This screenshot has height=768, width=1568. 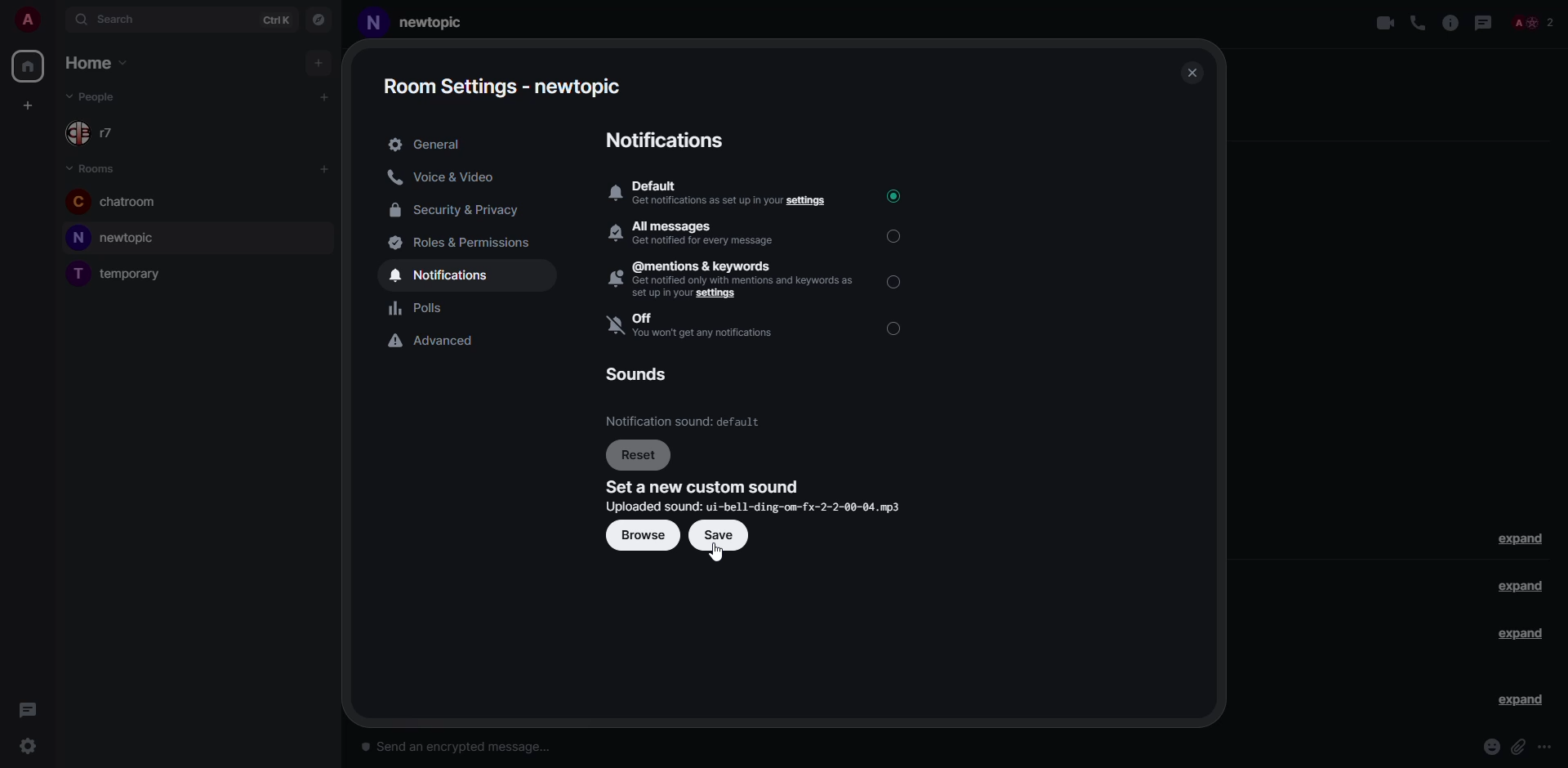 I want to click on people, so click(x=101, y=97).